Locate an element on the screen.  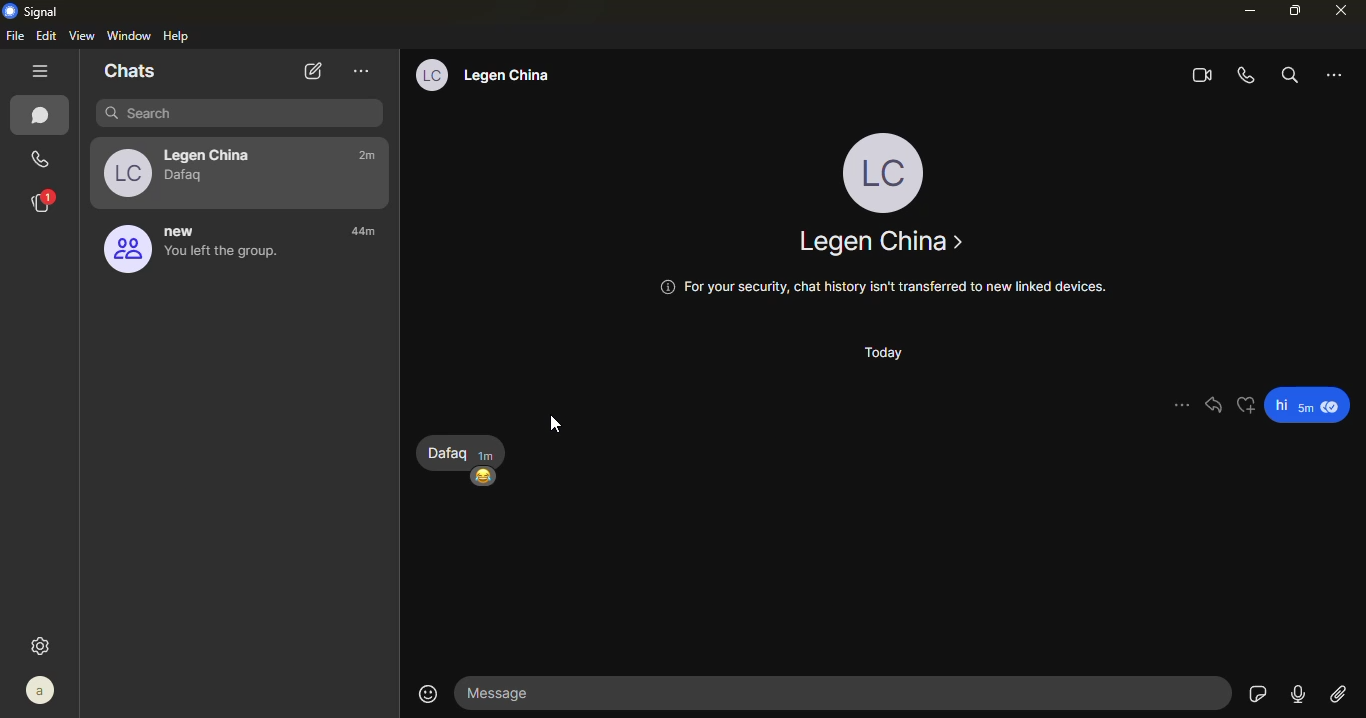
message- Hi 5m is located at coordinates (1311, 406).